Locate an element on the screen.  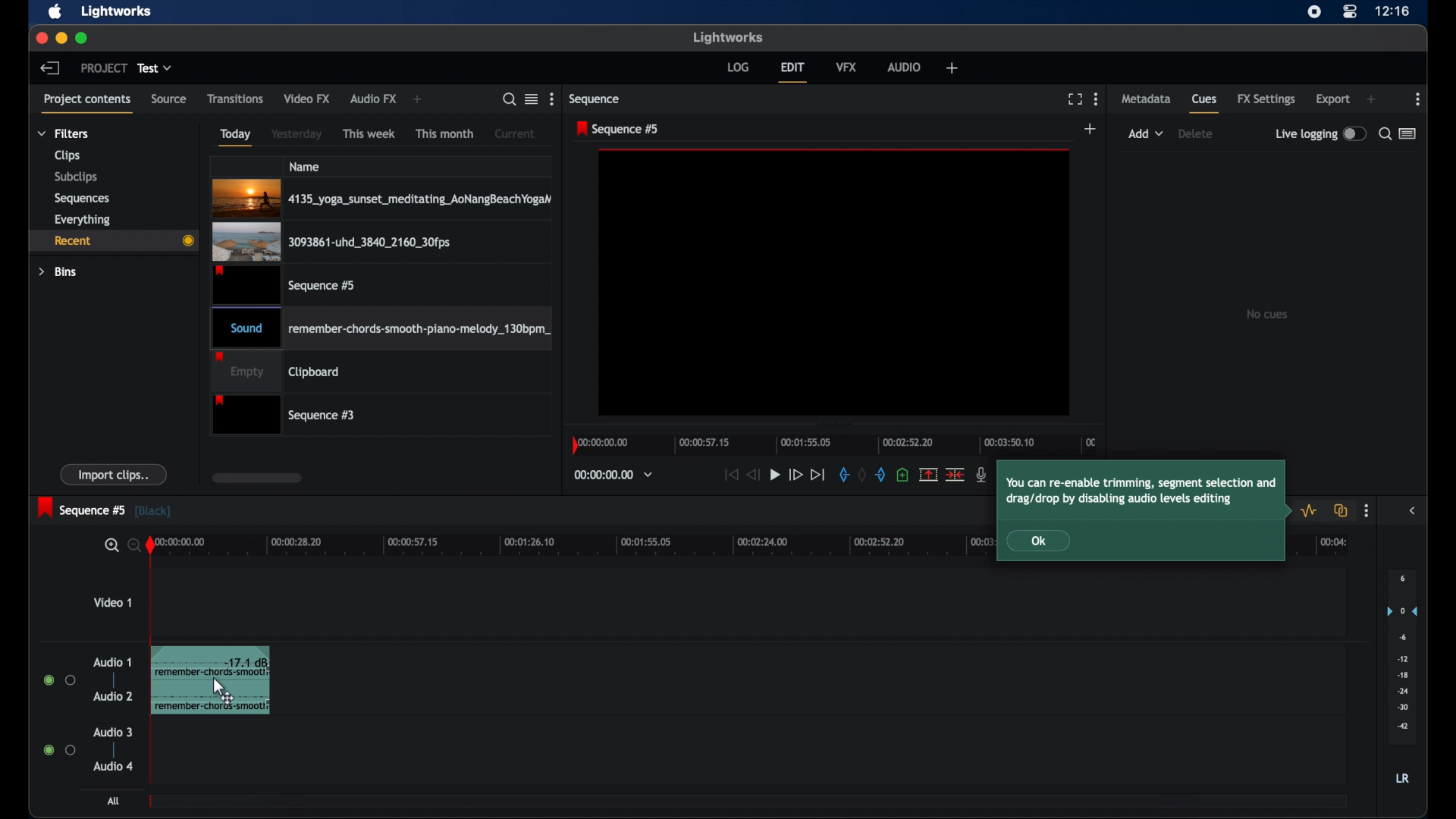
cut is located at coordinates (955, 474).